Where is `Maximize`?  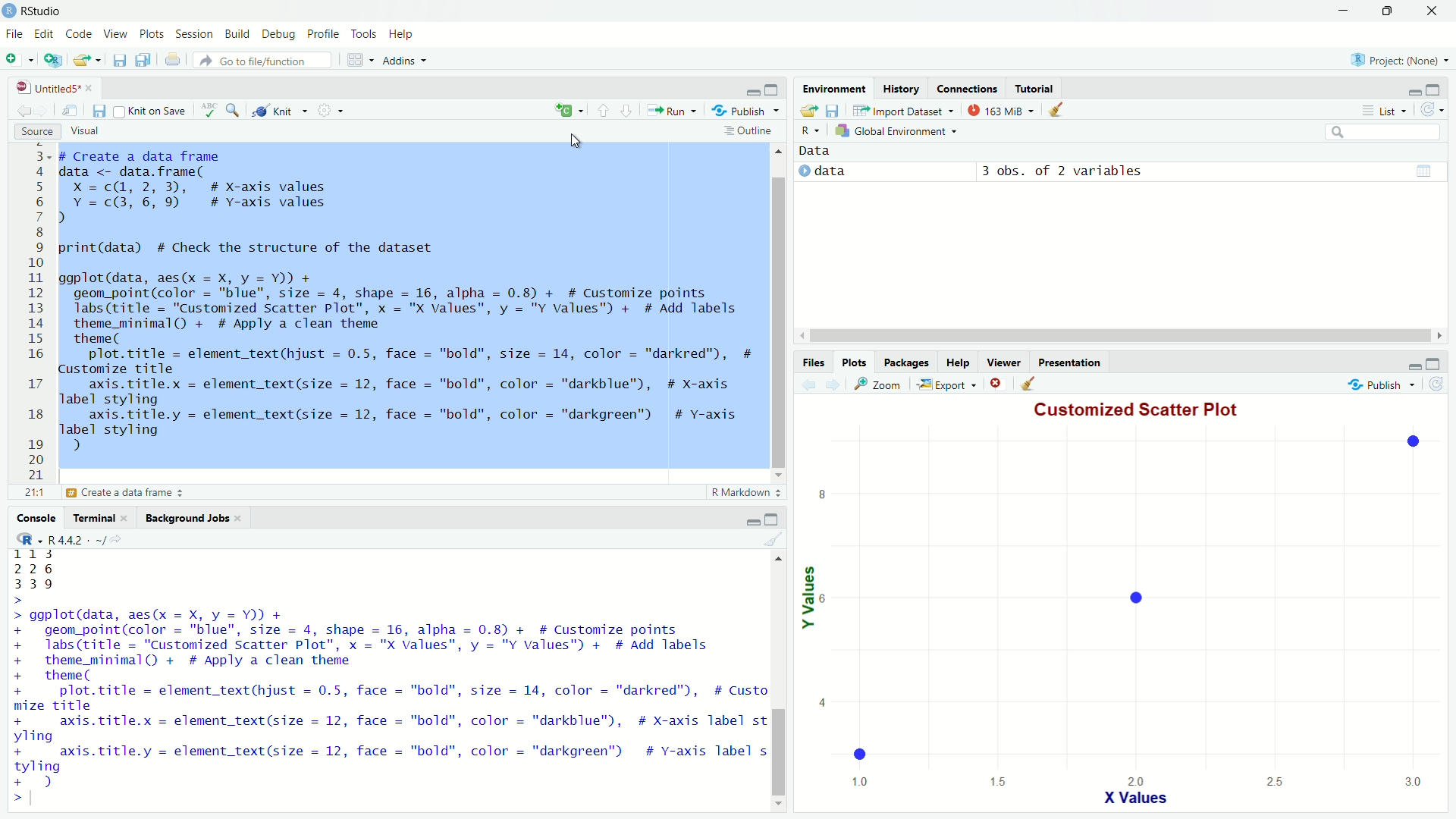
Maximize is located at coordinates (1434, 365).